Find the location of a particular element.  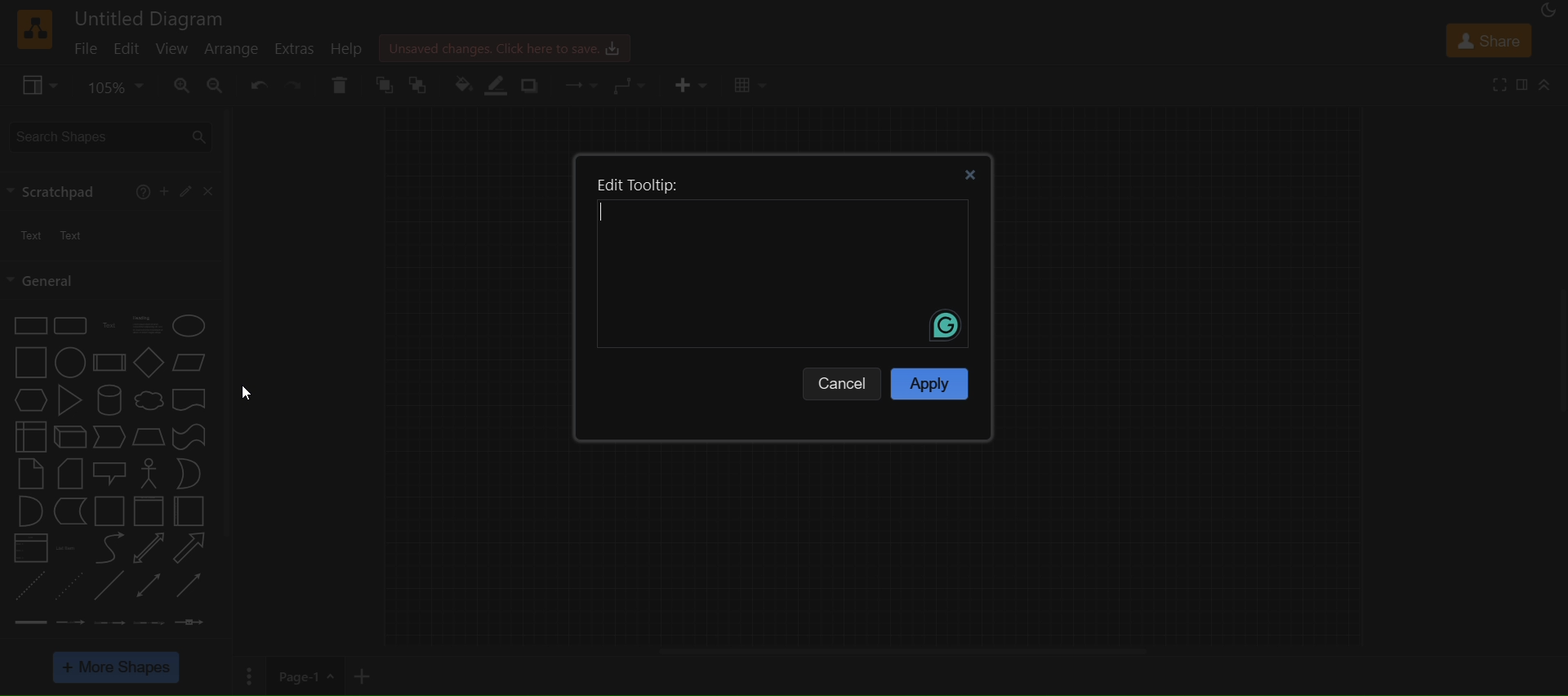

dotted line is located at coordinates (71, 587).